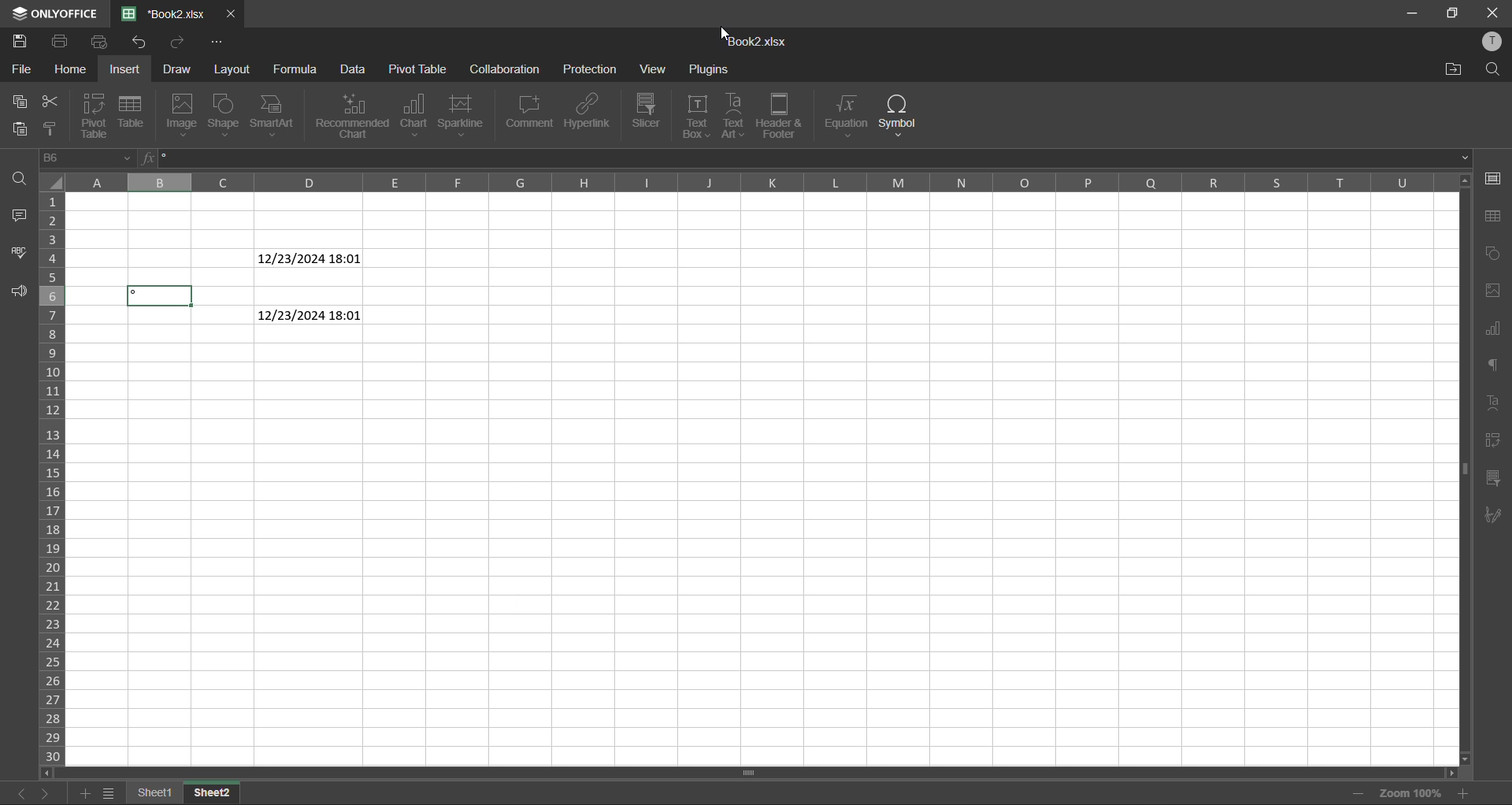  Describe the element at coordinates (84, 794) in the screenshot. I see `add sheet` at that location.